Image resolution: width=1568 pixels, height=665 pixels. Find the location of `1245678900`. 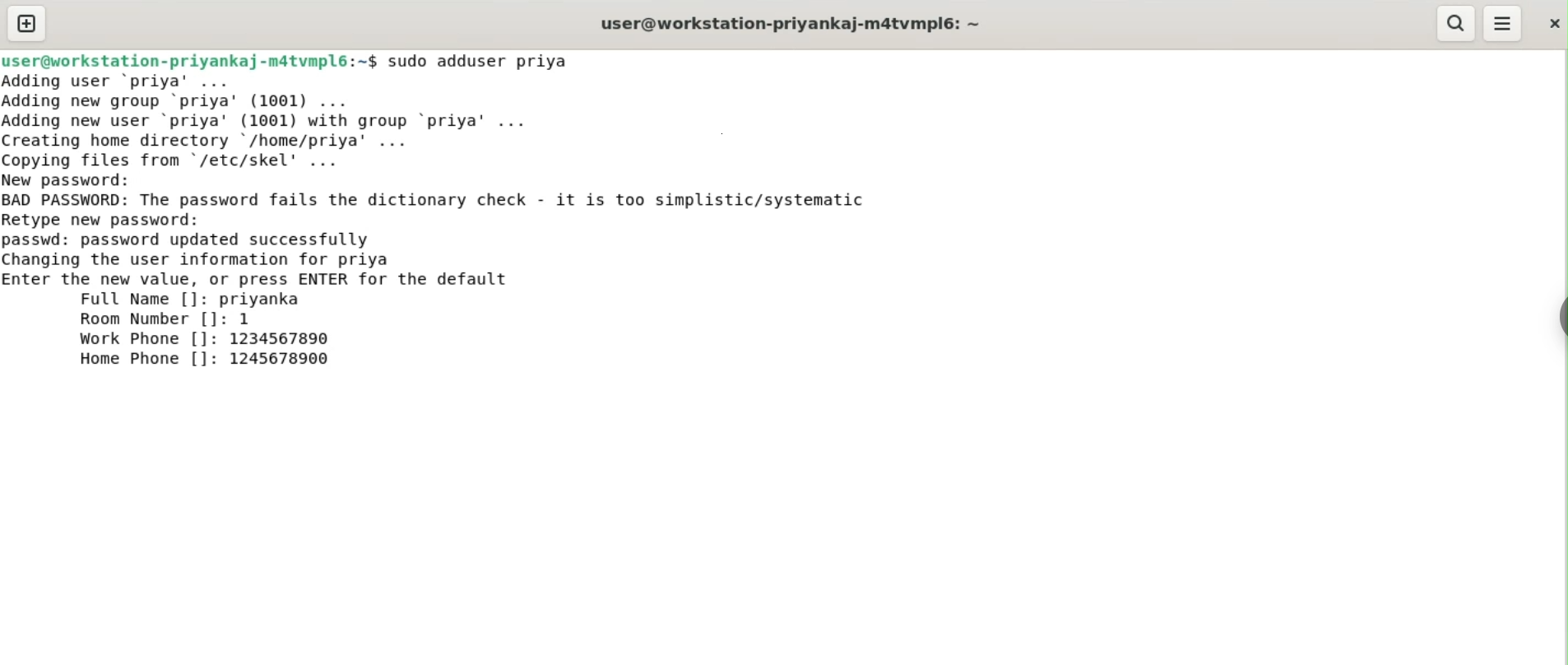

1245678900 is located at coordinates (285, 360).